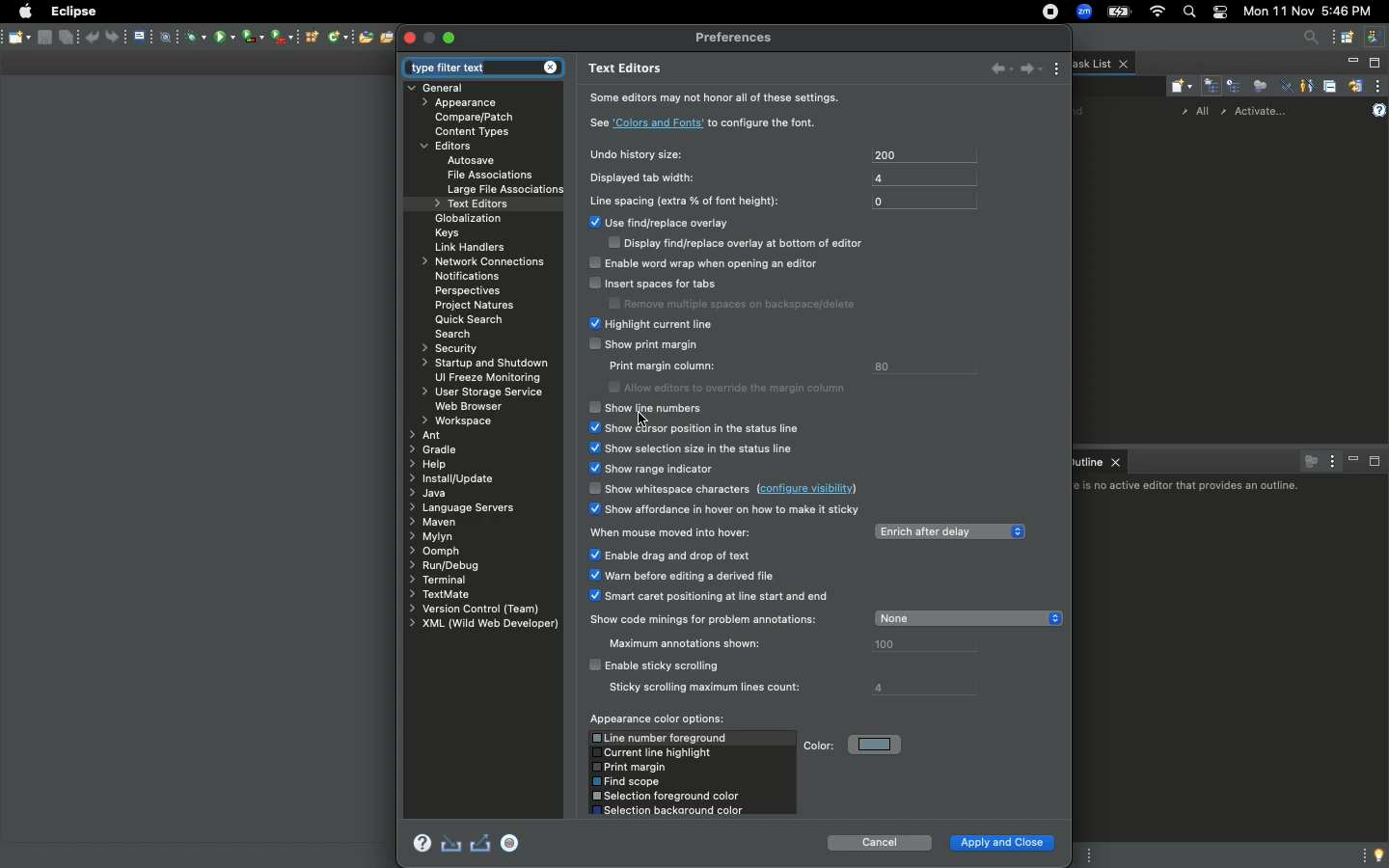 The height and width of the screenshot is (868, 1389). Describe the element at coordinates (717, 367) in the screenshot. I see `Show print margin` at that location.